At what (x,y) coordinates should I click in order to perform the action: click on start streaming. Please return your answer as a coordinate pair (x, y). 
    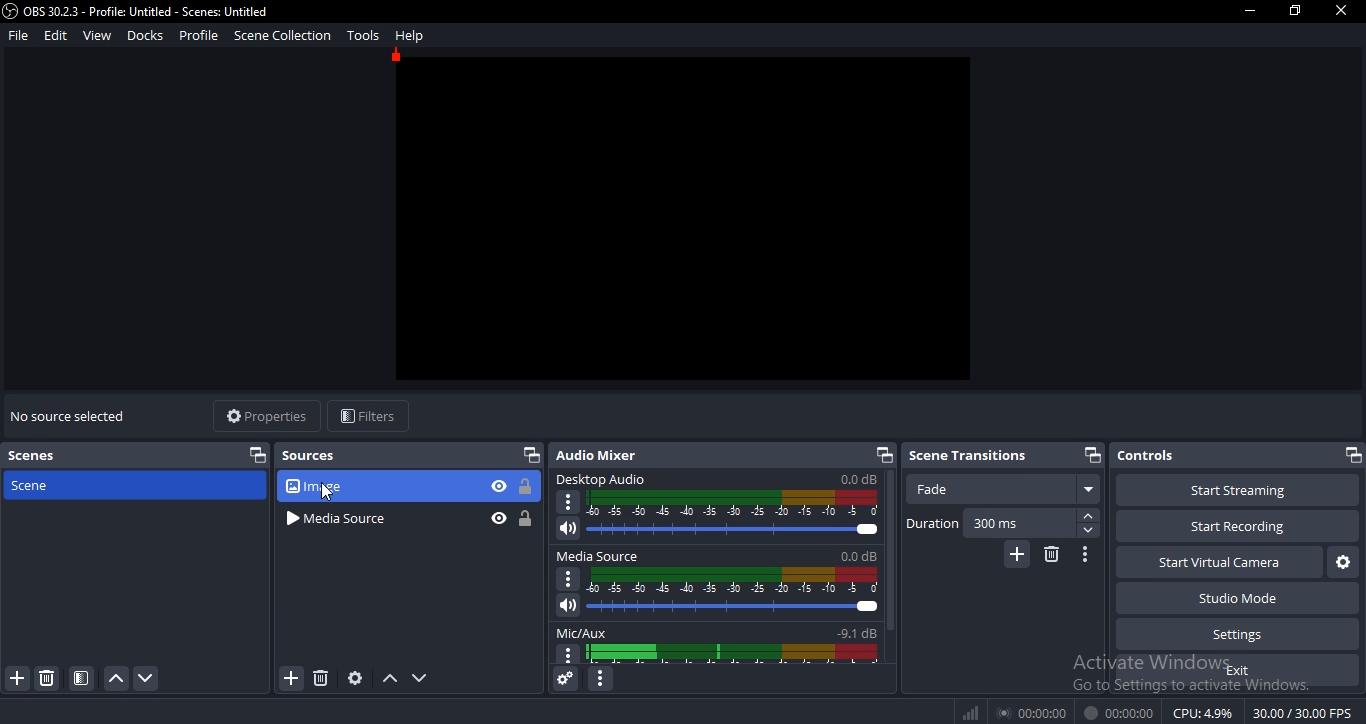
    Looking at the image, I should click on (1231, 490).